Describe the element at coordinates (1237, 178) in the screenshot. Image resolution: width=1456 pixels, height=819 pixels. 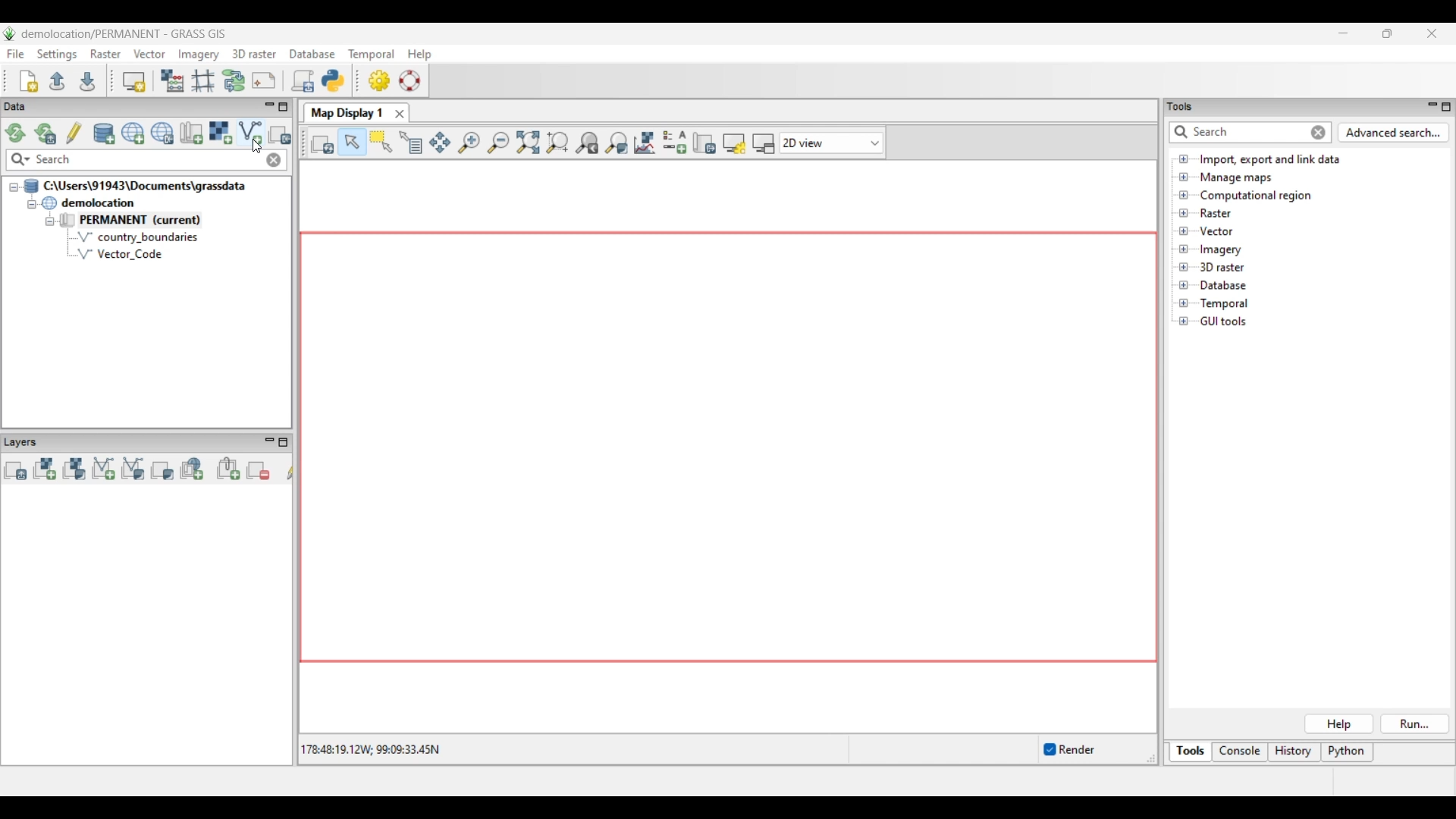
I see `Double click to see files under Manage maps` at that location.